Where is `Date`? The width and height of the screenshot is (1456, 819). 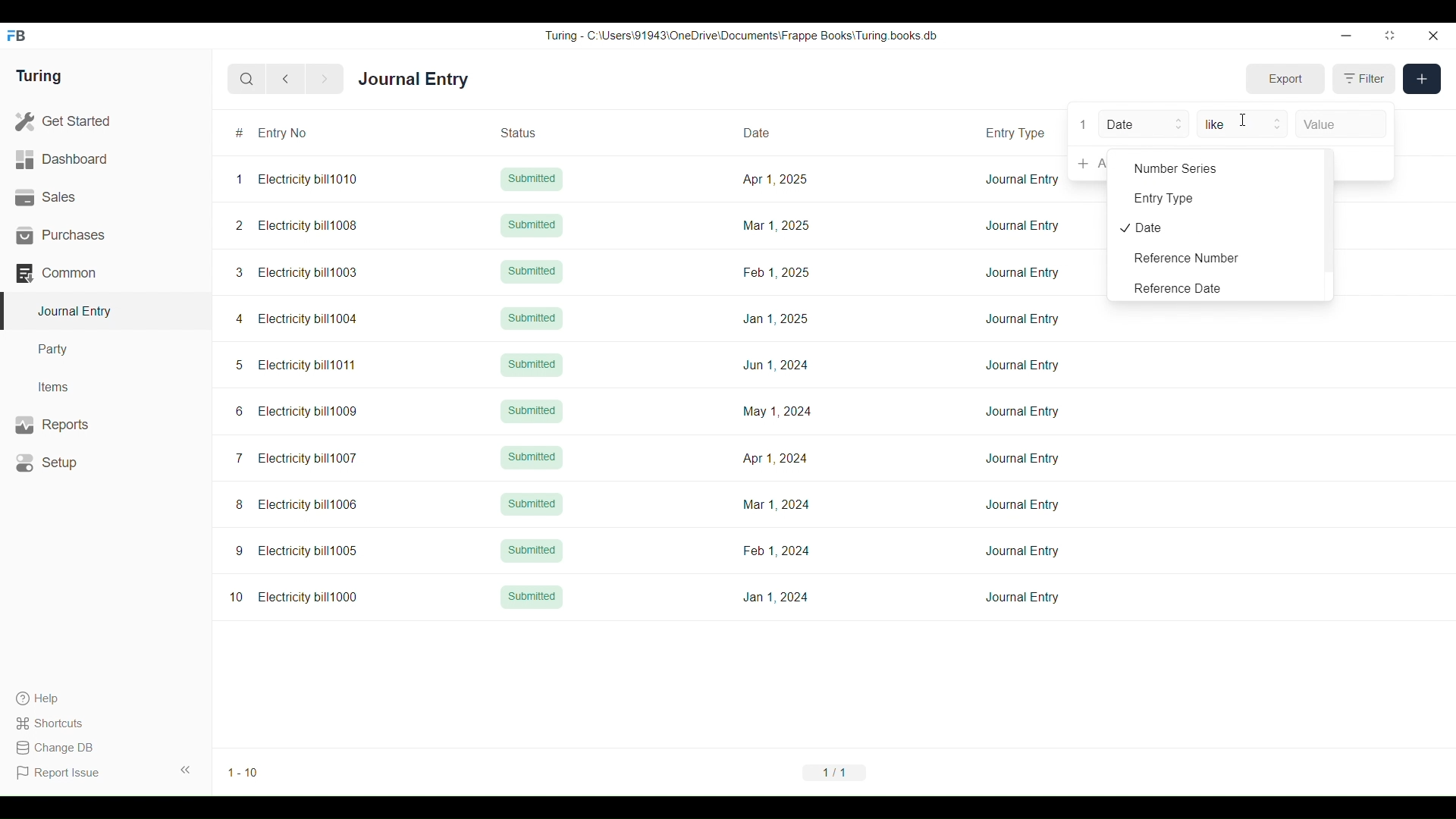 Date is located at coordinates (1144, 124).